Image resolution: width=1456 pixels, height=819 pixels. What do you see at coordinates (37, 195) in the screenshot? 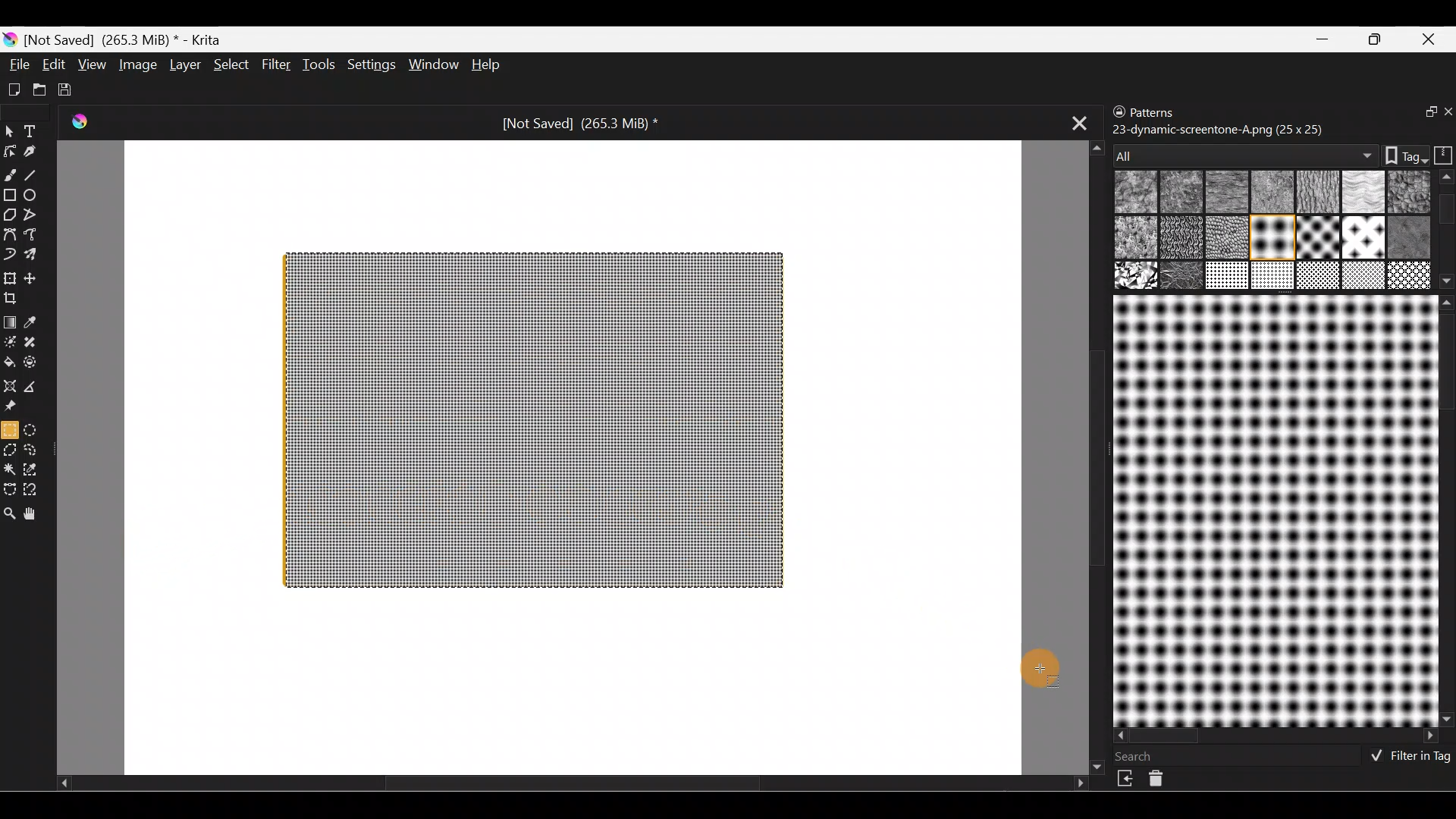
I see `Ellipse tool` at bounding box center [37, 195].